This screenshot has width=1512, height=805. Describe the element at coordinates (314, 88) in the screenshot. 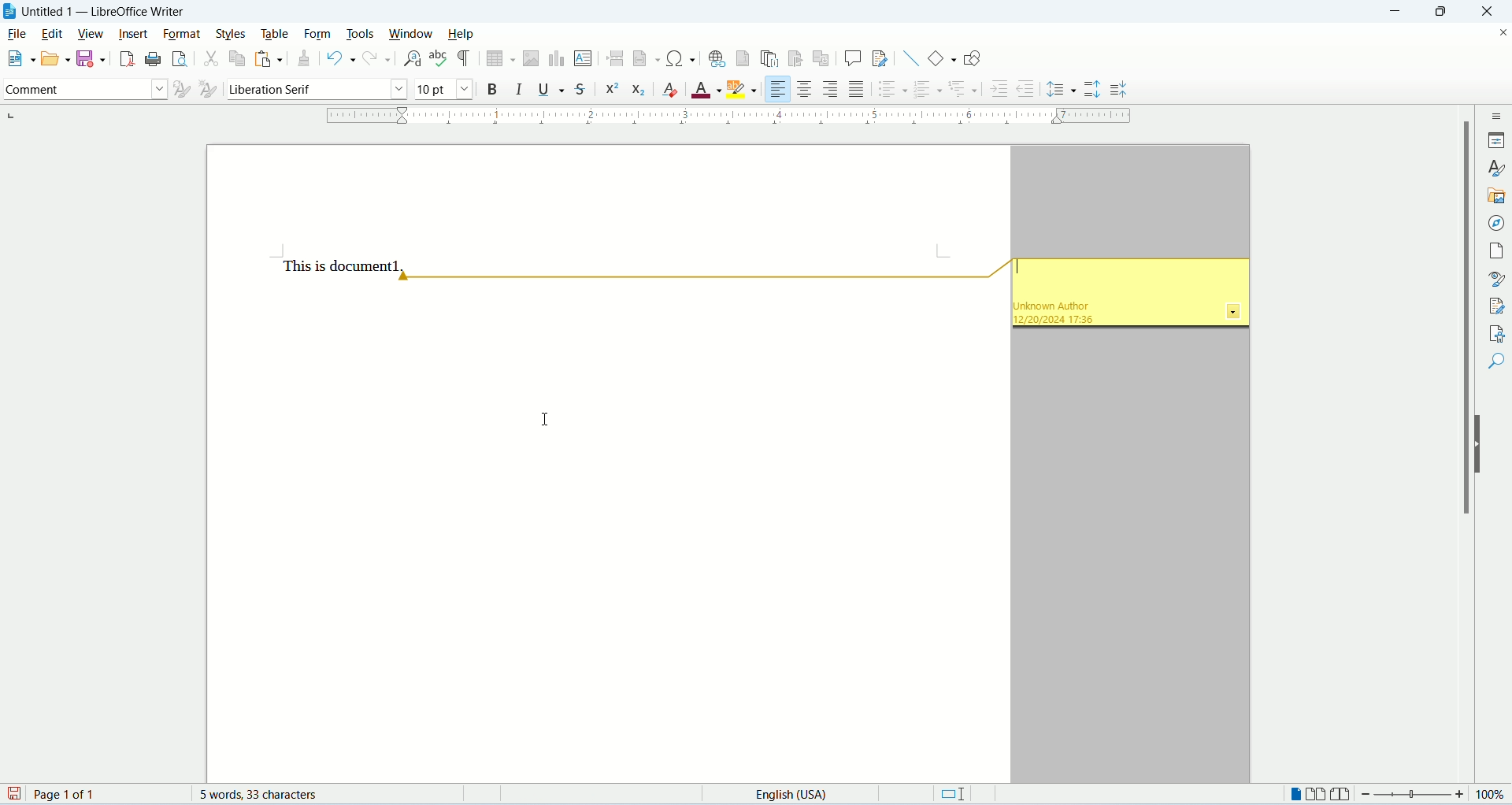

I see `font name` at that location.